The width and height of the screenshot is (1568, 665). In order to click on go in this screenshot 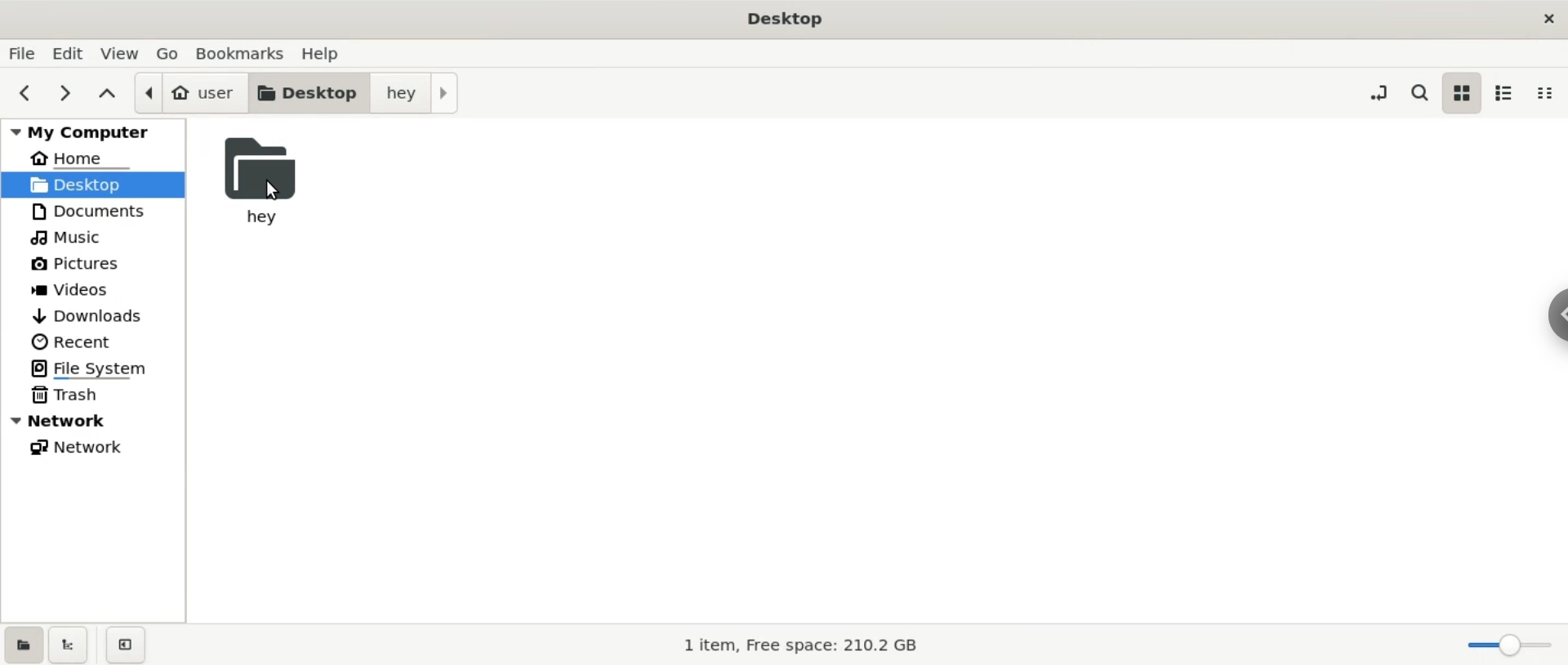, I will do `click(163, 54)`.